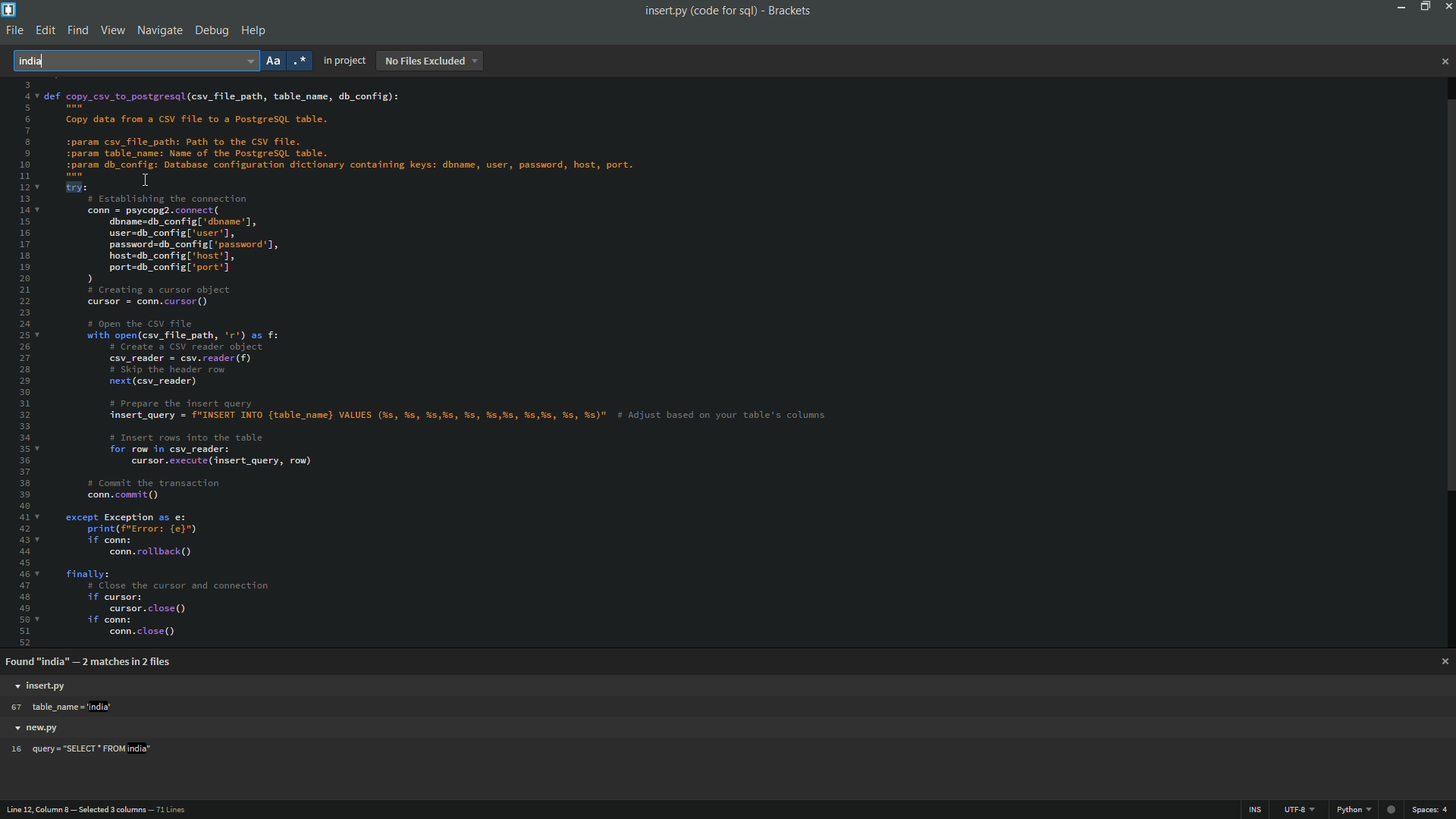 Image resolution: width=1456 pixels, height=819 pixels. Describe the element at coordinates (1422, 6) in the screenshot. I see `maximize` at that location.